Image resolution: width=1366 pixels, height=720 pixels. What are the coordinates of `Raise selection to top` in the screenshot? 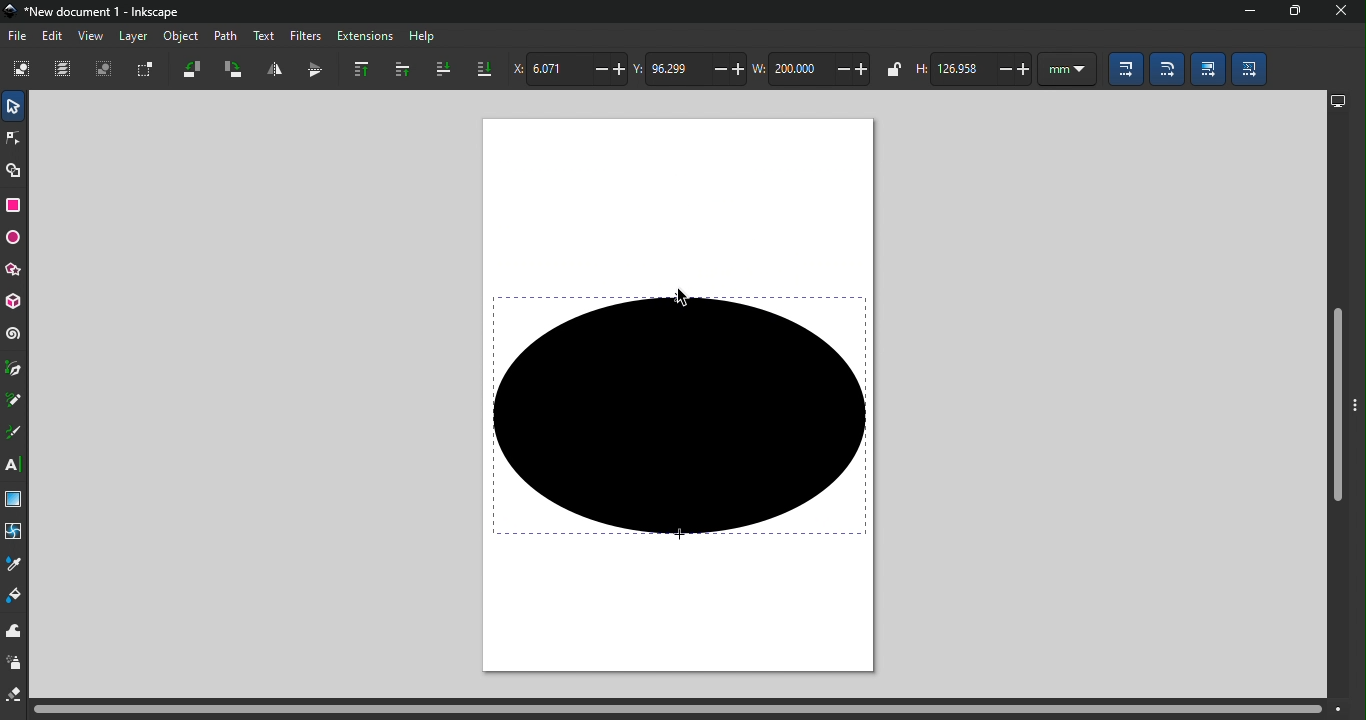 It's located at (362, 70).